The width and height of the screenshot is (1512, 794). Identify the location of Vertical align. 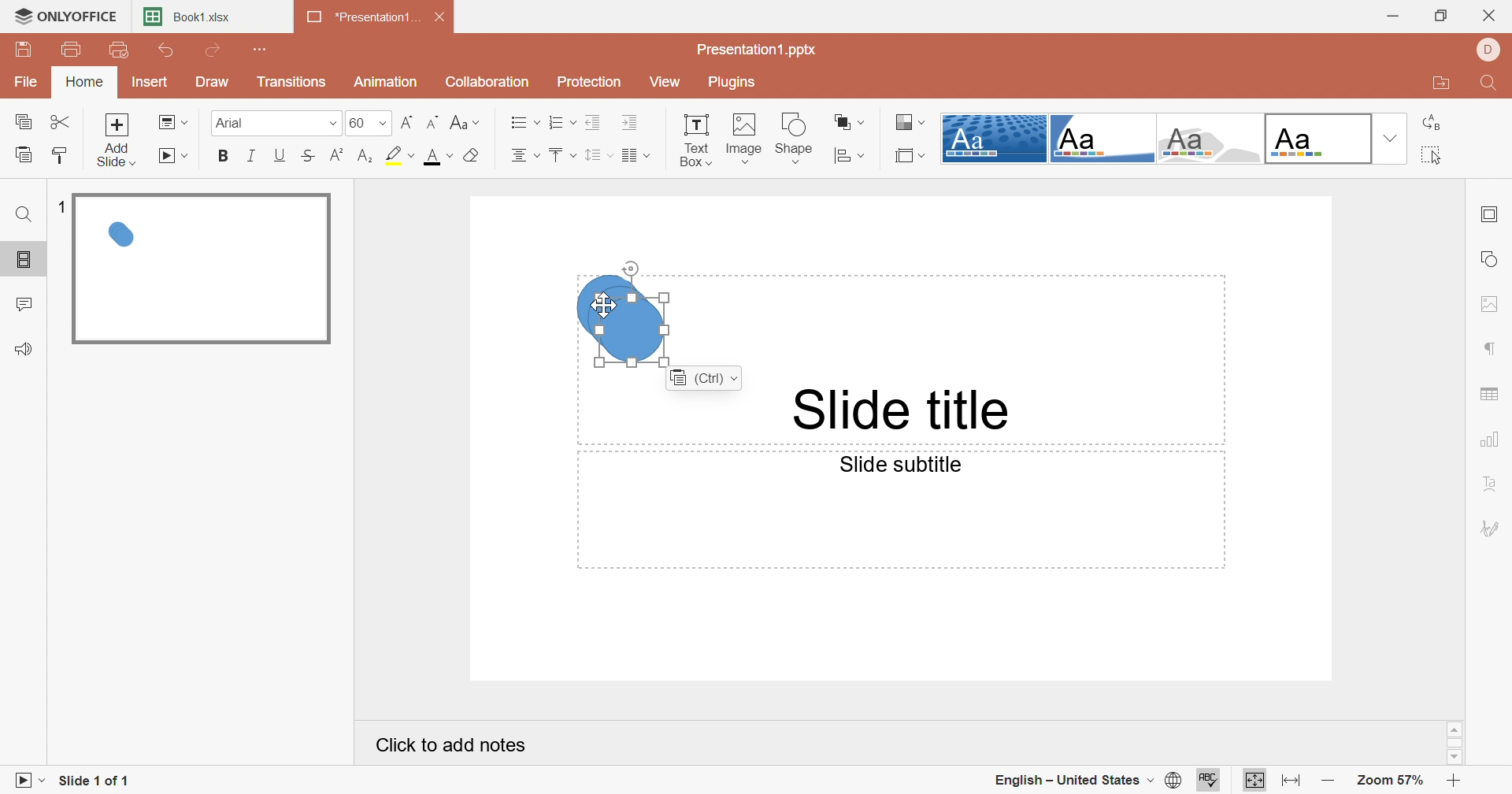
(561, 155).